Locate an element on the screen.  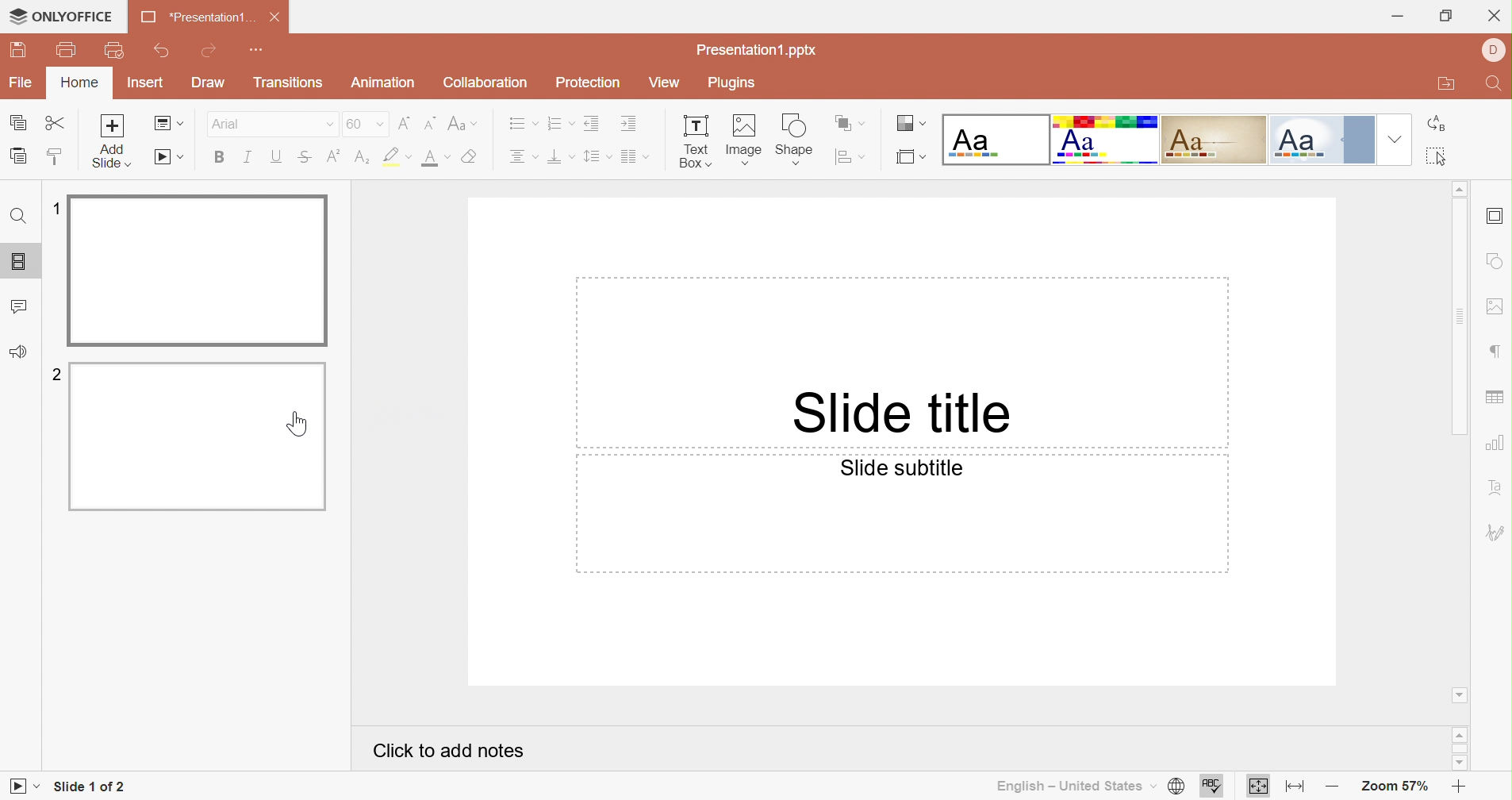
Scroll Bar is located at coordinates (1460, 318).